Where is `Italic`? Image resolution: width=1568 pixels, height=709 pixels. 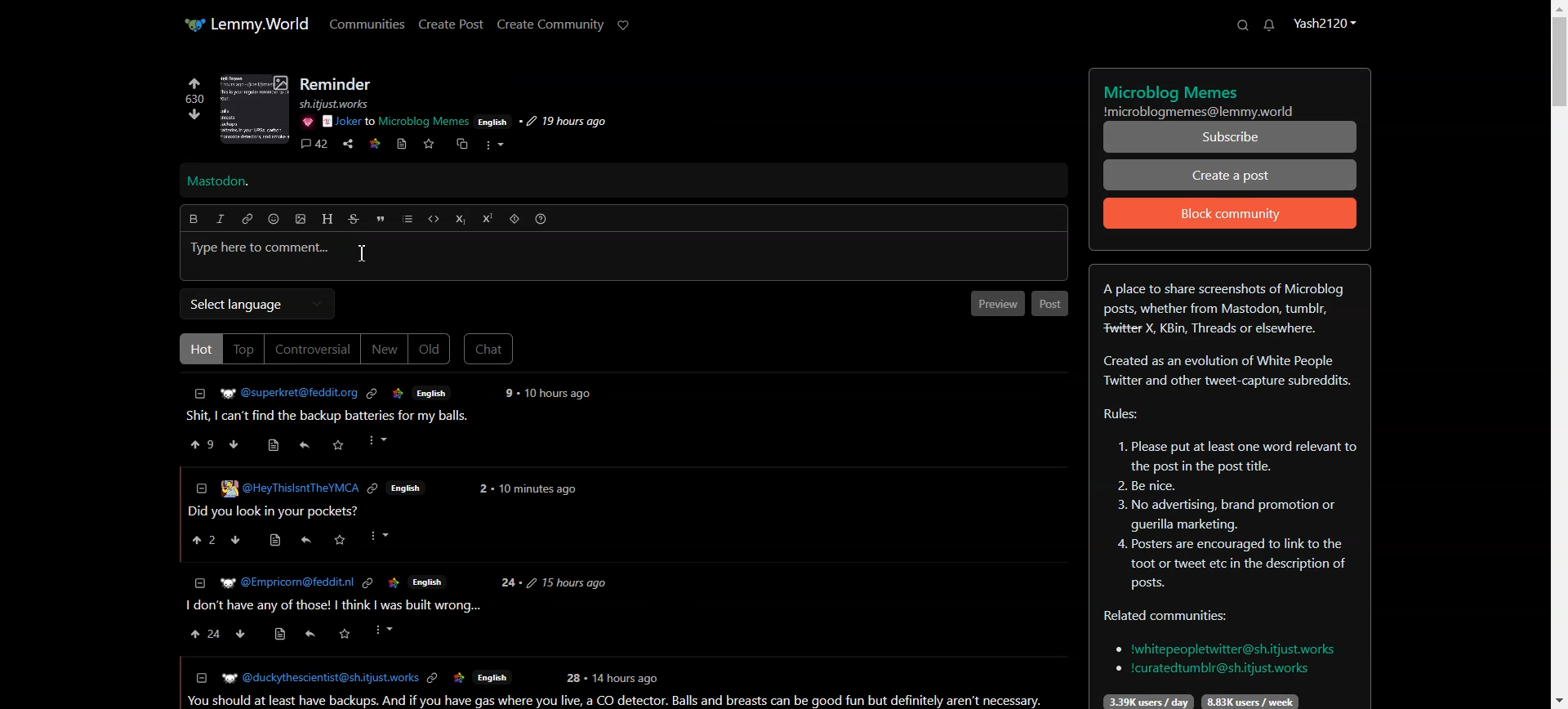 Italic is located at coordinates (220, 219).